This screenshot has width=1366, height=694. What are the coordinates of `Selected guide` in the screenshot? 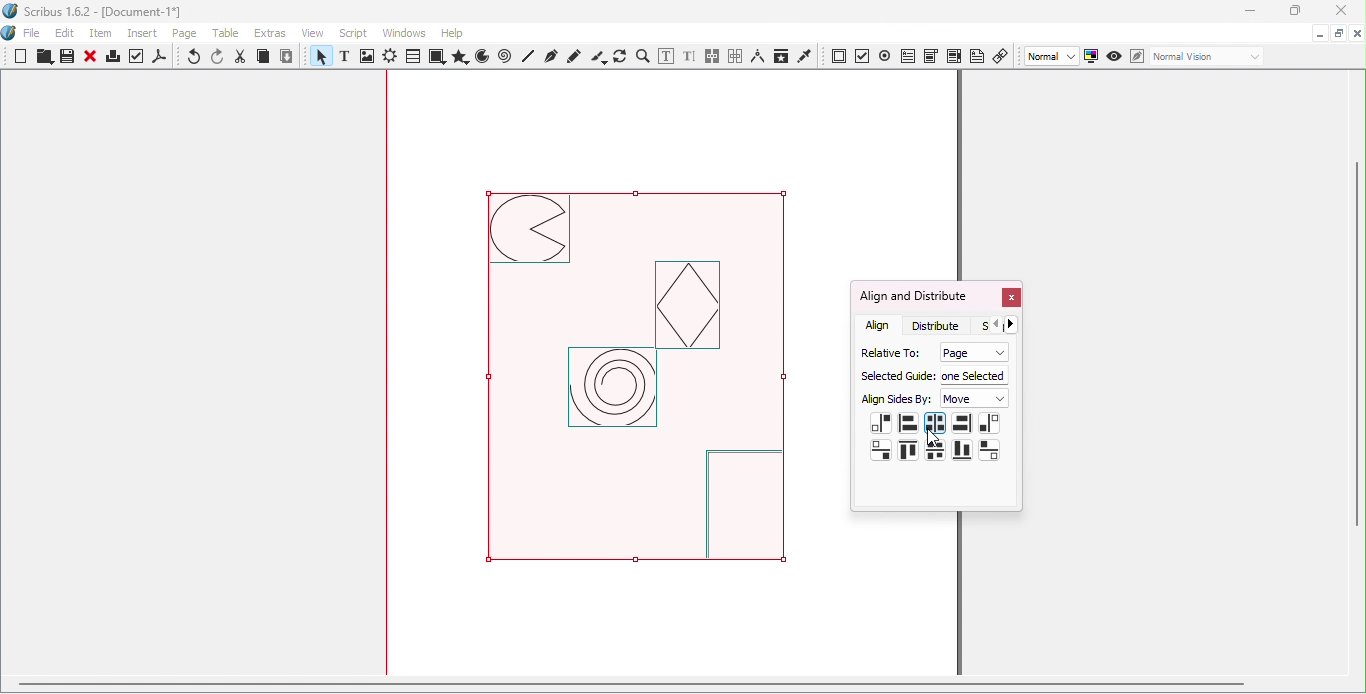 It's located at (896, 376).